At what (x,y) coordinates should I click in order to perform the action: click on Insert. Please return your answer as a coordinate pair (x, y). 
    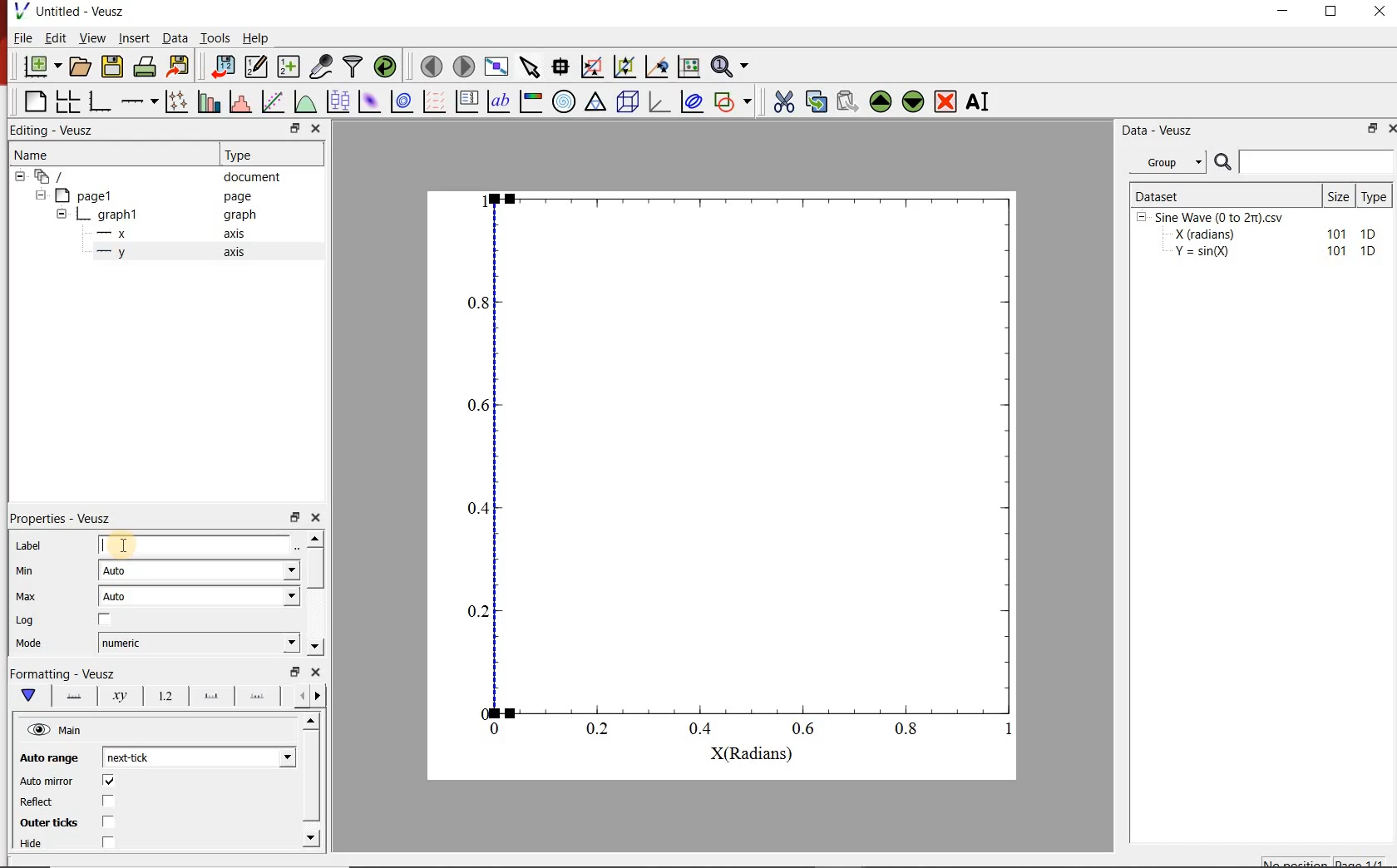
    Looking at the image, I should click on (135, 37).